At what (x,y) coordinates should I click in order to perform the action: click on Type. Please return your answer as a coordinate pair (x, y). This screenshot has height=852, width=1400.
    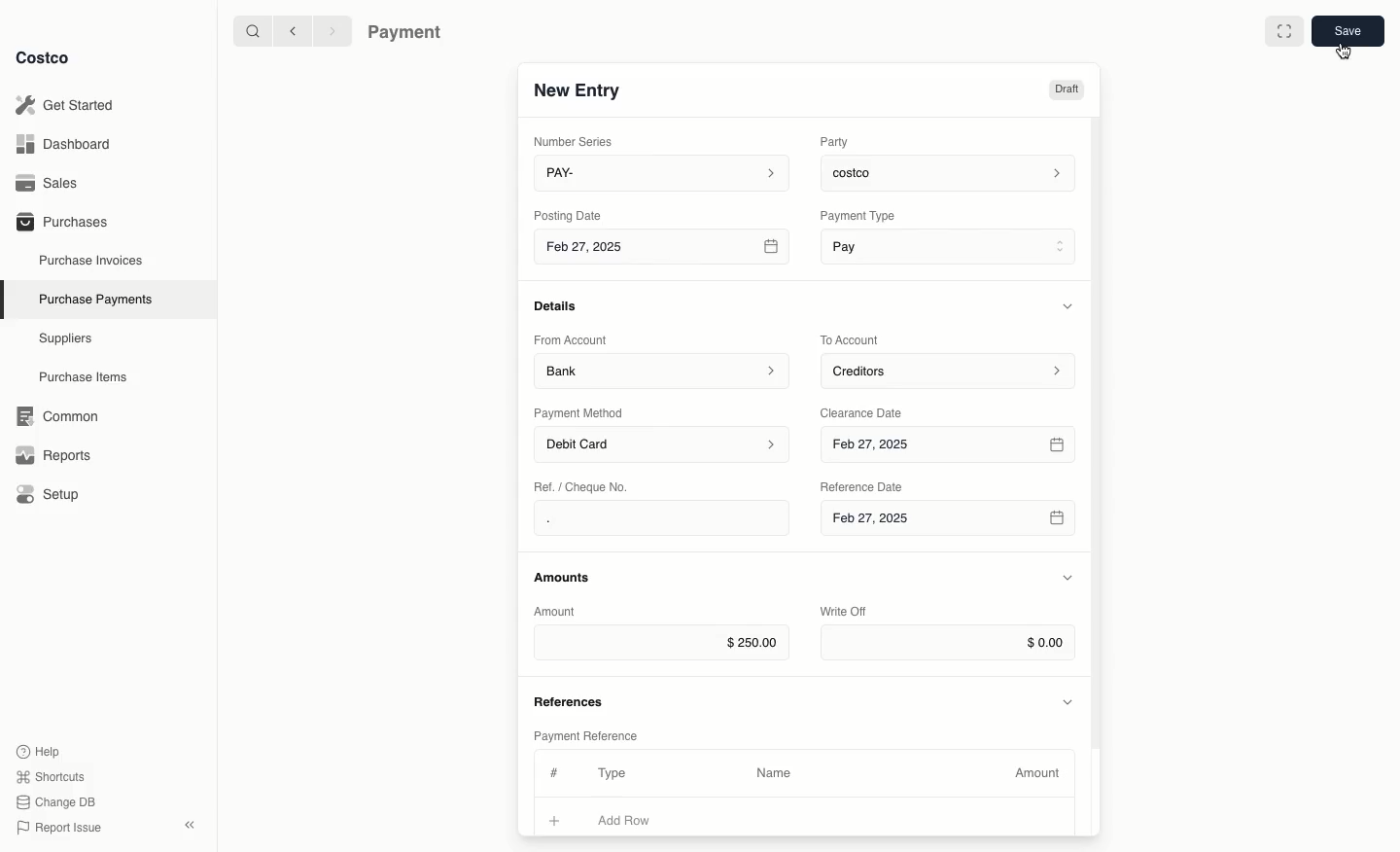
    Looking at the image, I should click on (616, 773).